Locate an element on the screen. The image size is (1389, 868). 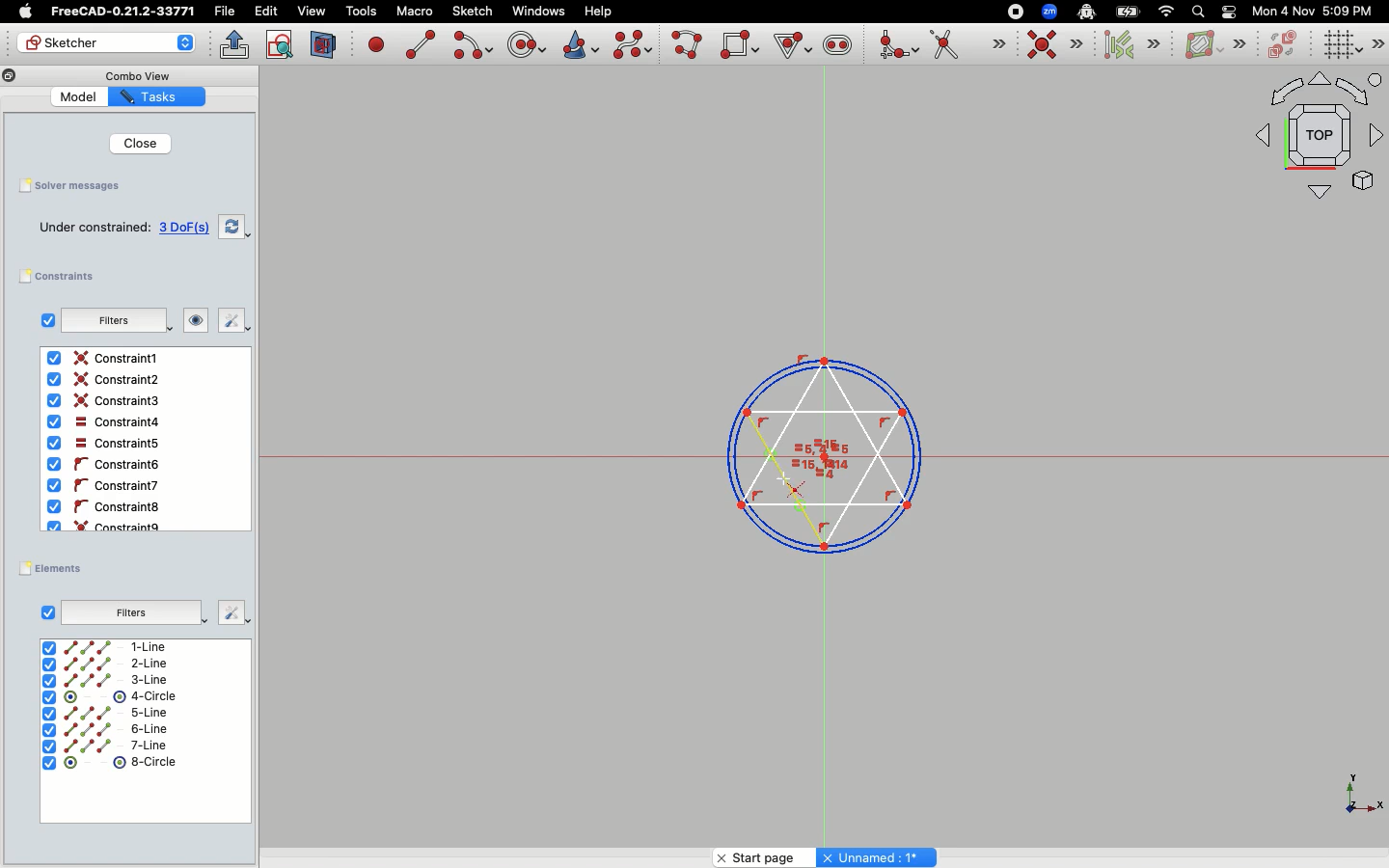
2-Line is located at coordinates (118, 664).